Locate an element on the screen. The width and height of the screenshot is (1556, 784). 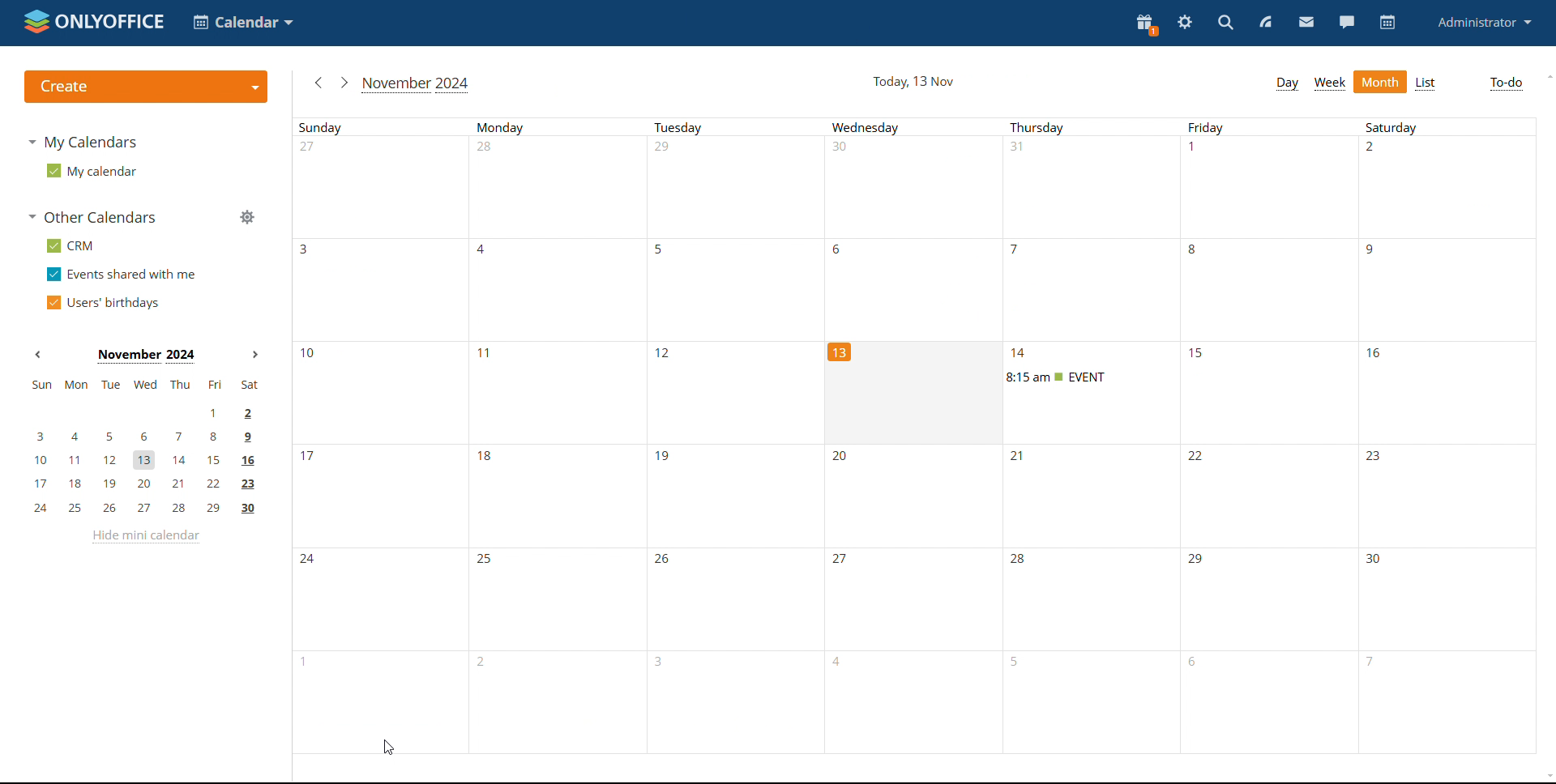
users' birthdays is located at coordinates (101, 302).